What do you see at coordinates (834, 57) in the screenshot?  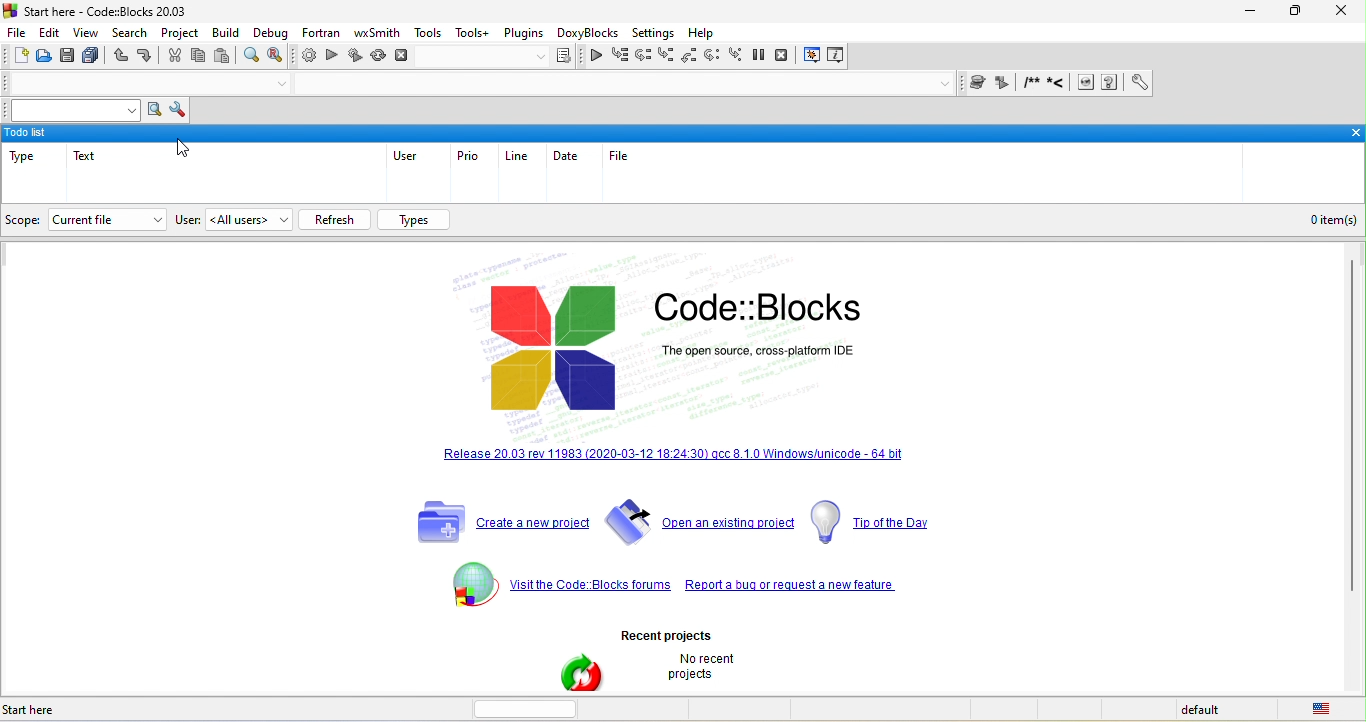 I see `various info` at bounding box center [834, 57].